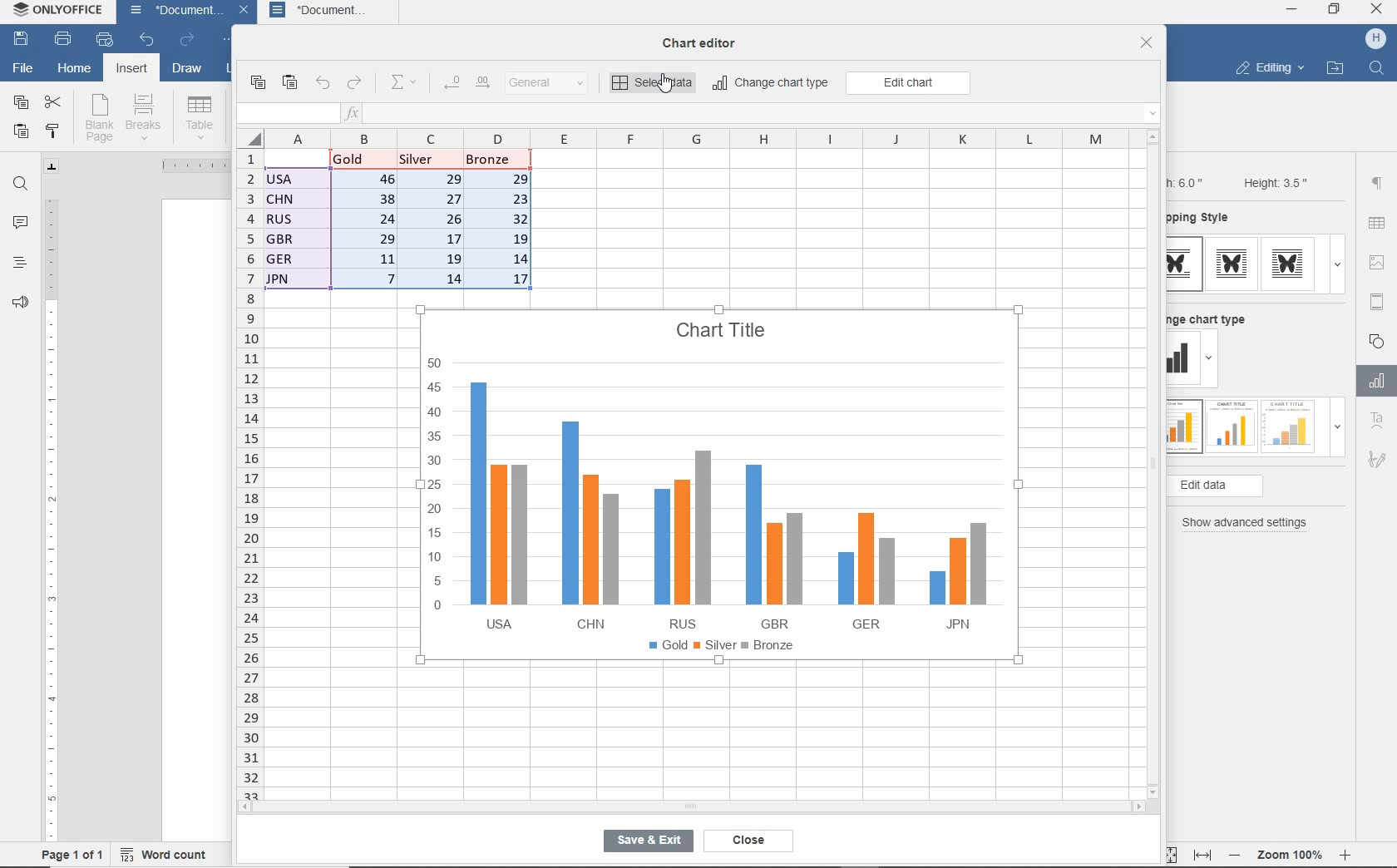 Image resolution: width=1397 pixels, height=868 pixels. I want to click on show advanced settings, so click(1249, 523).